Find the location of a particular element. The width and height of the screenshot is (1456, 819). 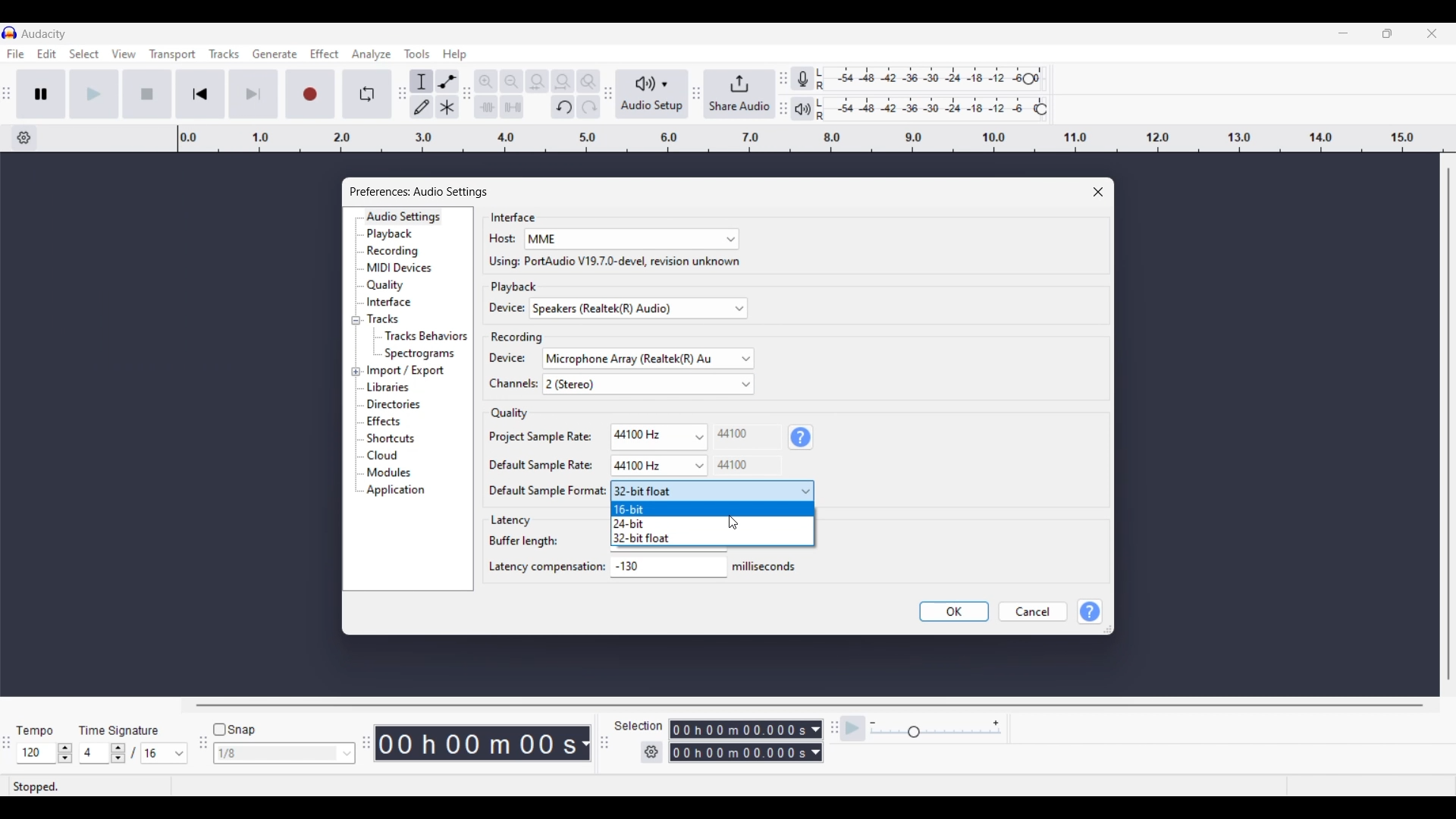

Zoom in is located at coordinates (485, 81).